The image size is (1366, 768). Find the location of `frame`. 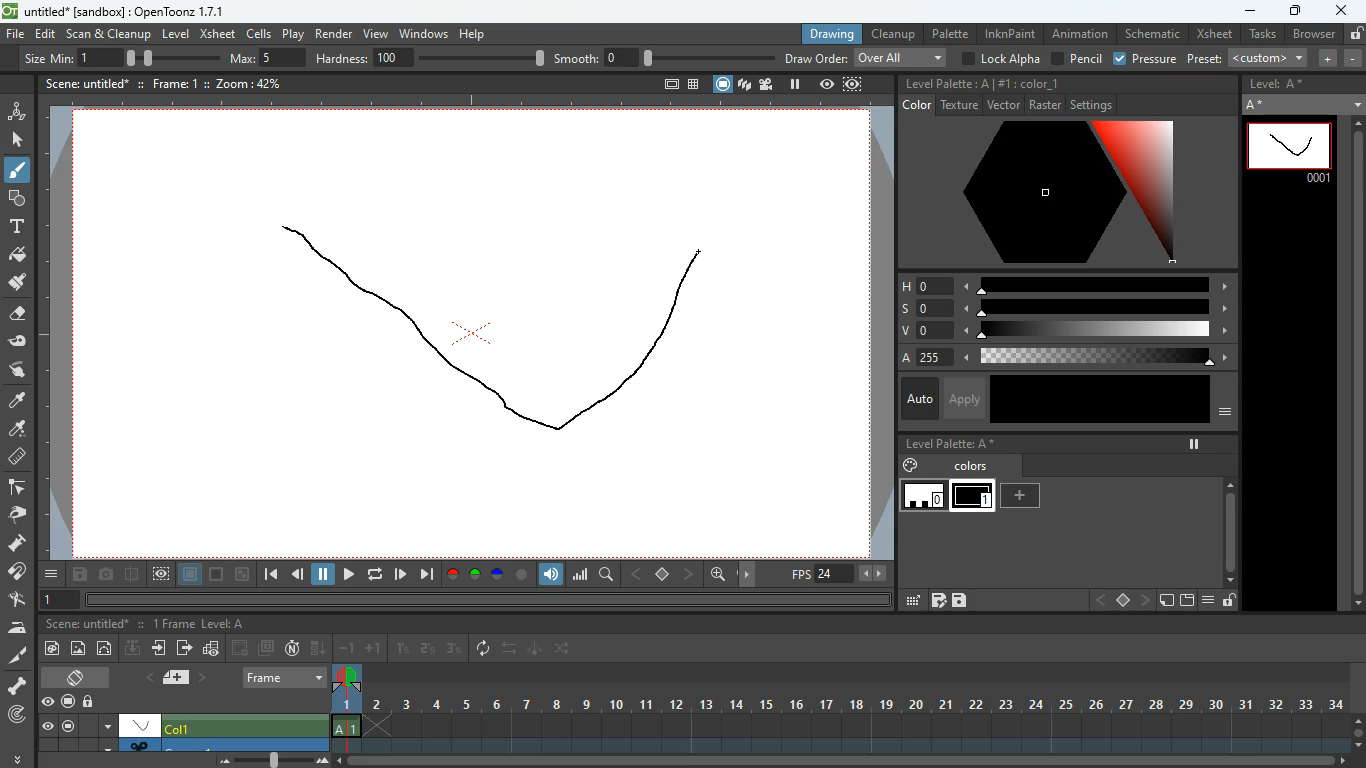

frame is located at coordinates (1290, 152).